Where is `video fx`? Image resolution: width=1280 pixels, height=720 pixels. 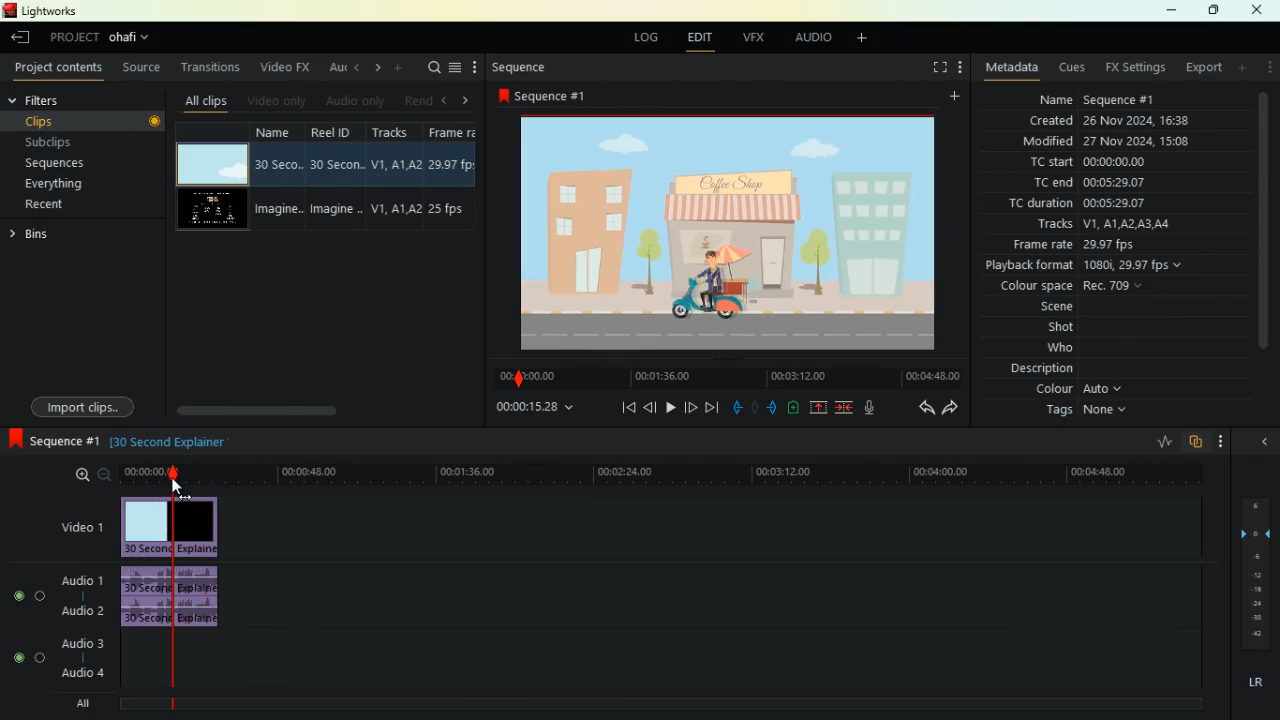
video fx is located at coordinates (286, 67).